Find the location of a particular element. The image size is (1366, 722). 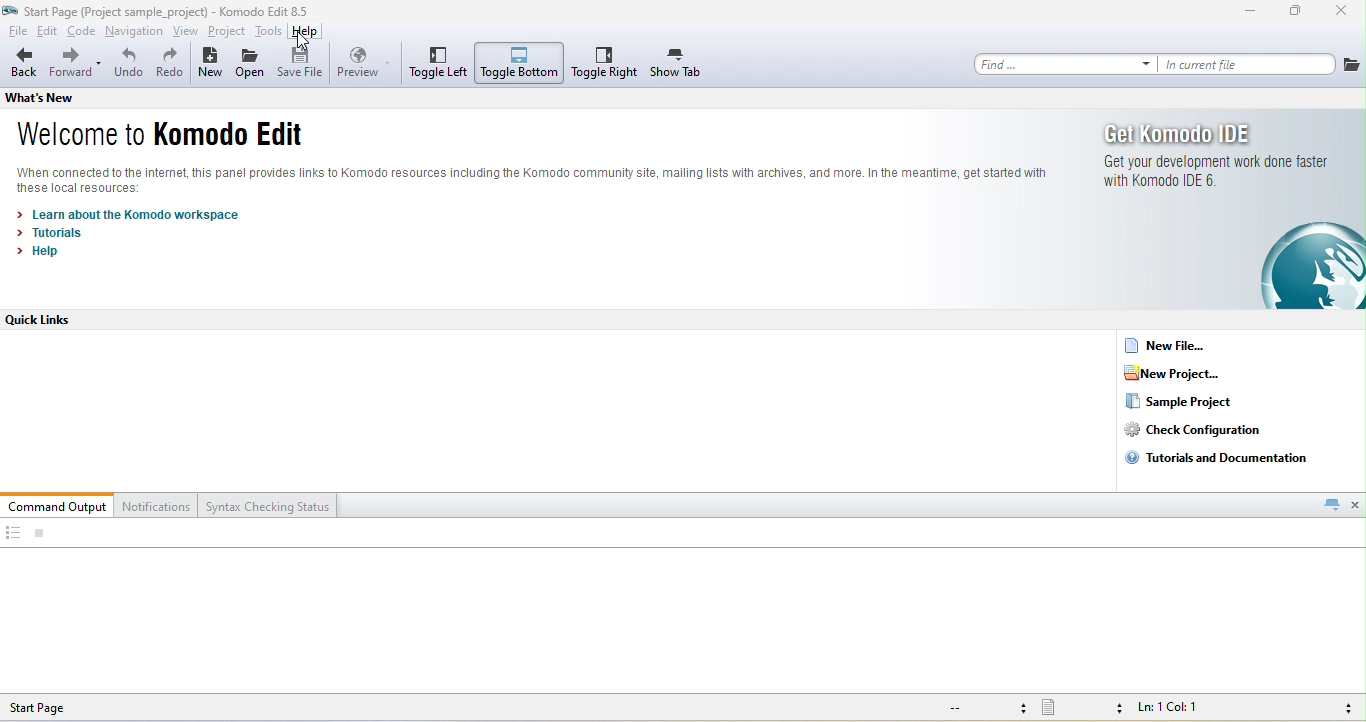

new file is located at coordinates (1174, 345).